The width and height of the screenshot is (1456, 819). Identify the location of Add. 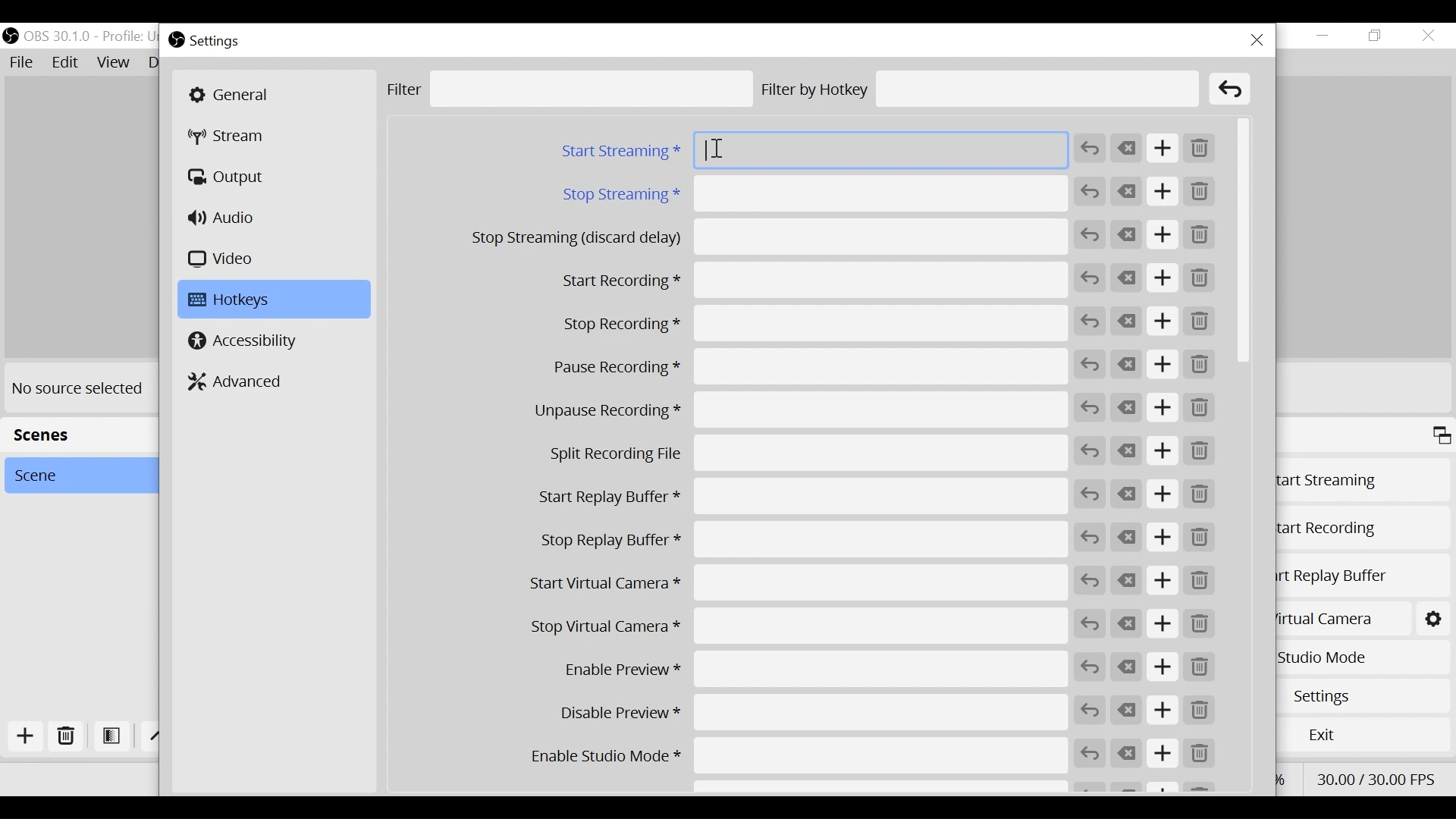
(1163, 453).